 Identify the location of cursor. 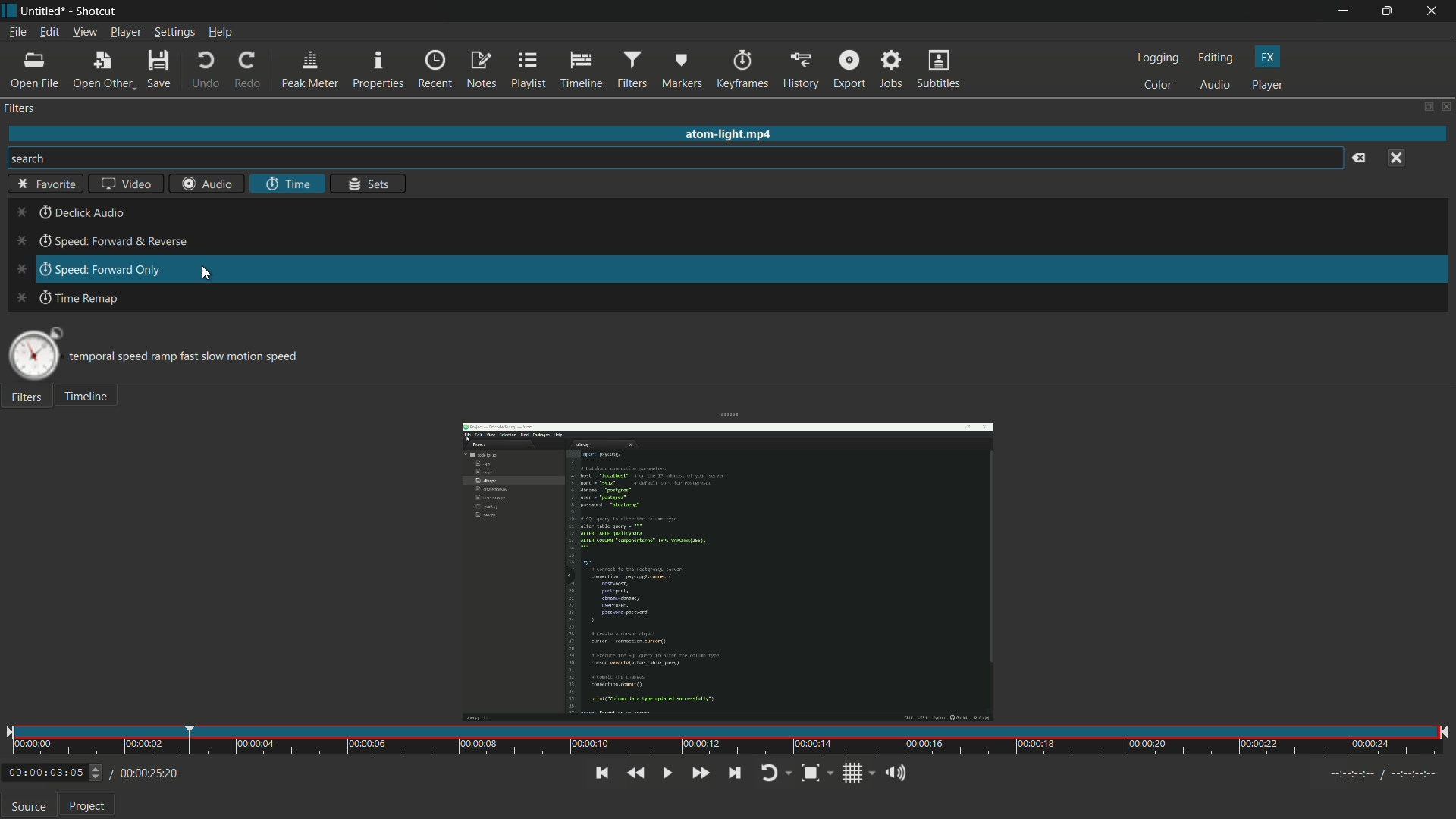
(206, 275).